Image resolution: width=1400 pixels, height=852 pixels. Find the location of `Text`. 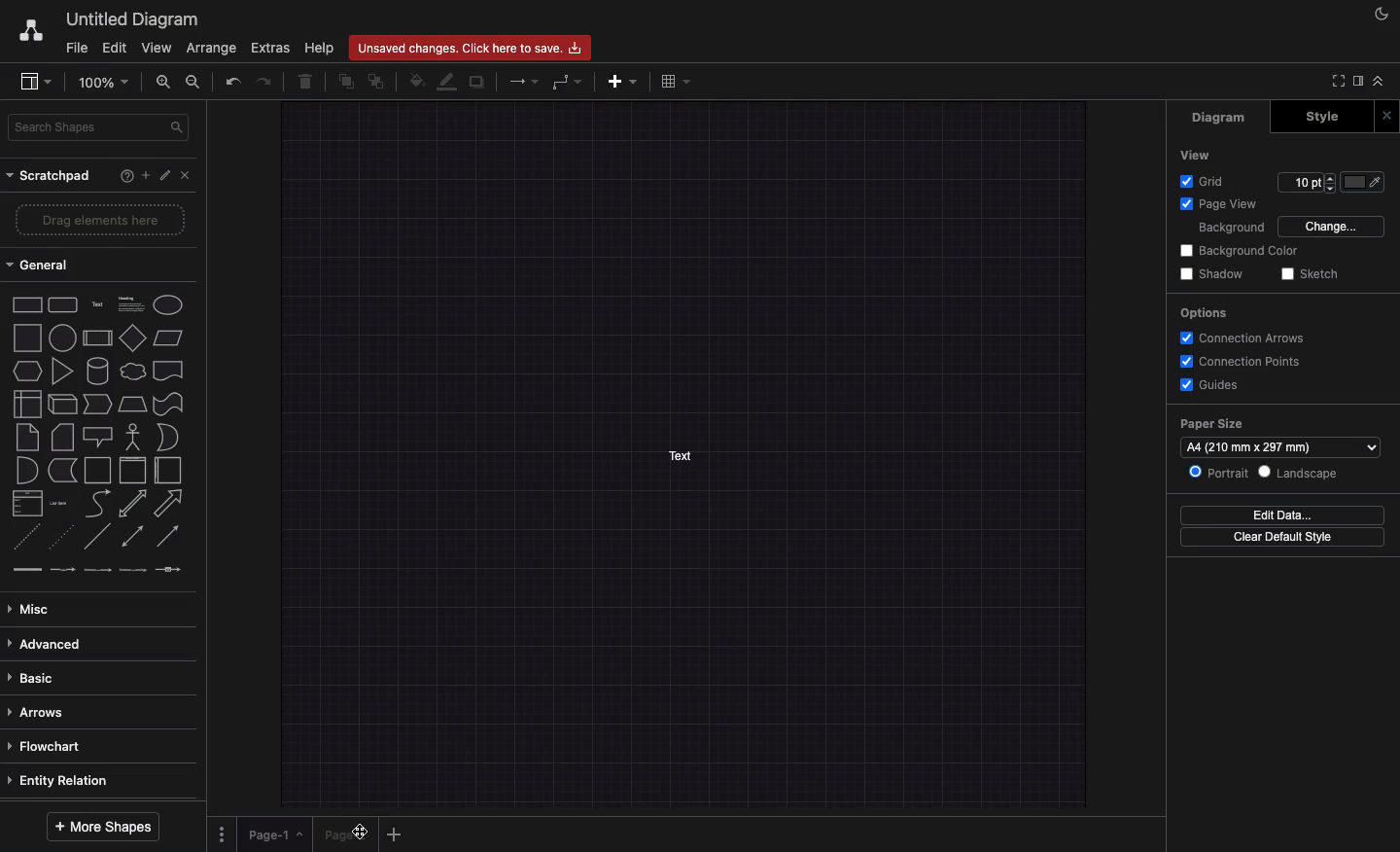

Text is located at coordinates (683, 455).